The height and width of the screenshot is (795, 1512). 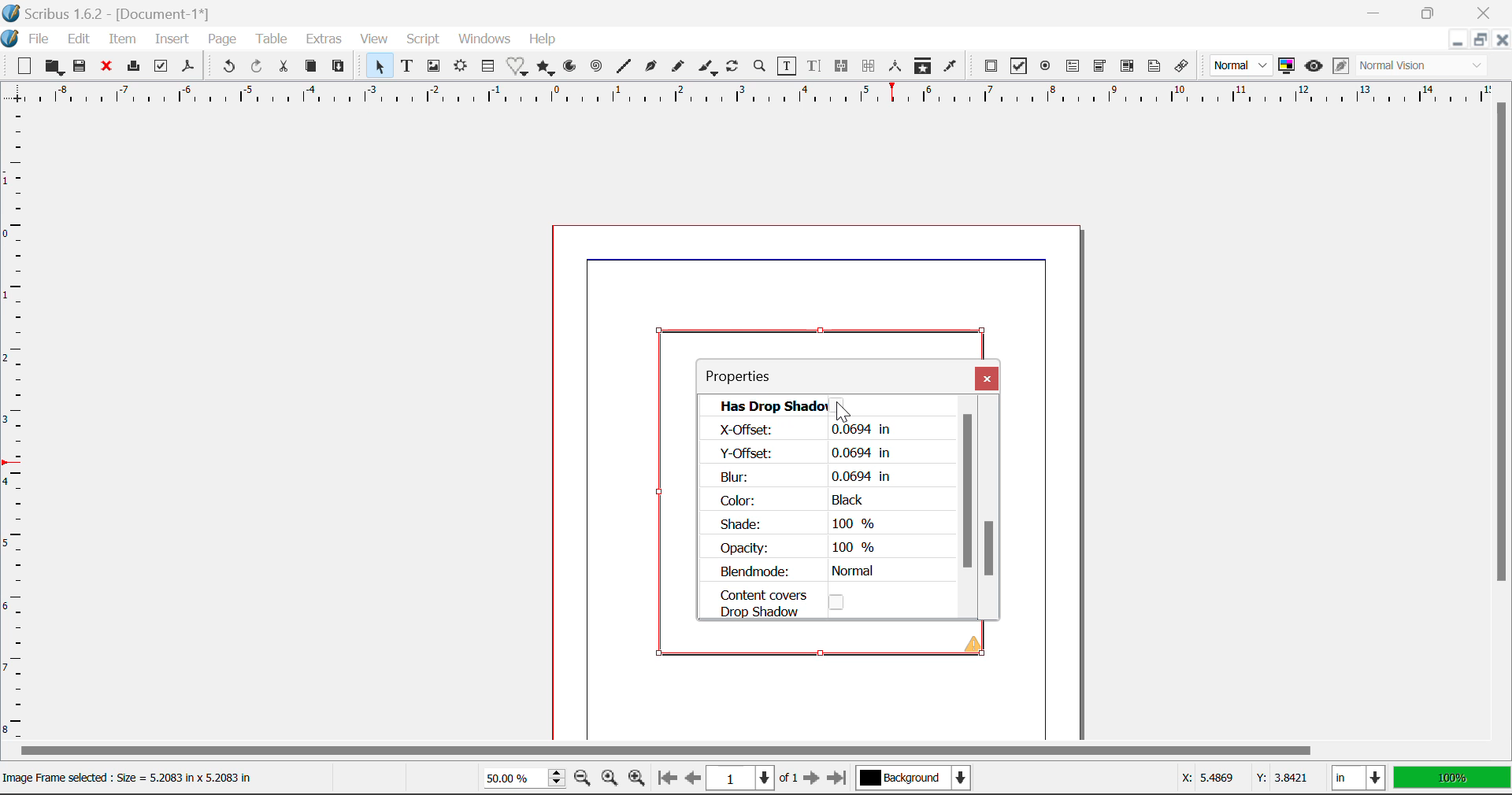 I want to click on Vertical Page Margins, so click(x=747, y=98).